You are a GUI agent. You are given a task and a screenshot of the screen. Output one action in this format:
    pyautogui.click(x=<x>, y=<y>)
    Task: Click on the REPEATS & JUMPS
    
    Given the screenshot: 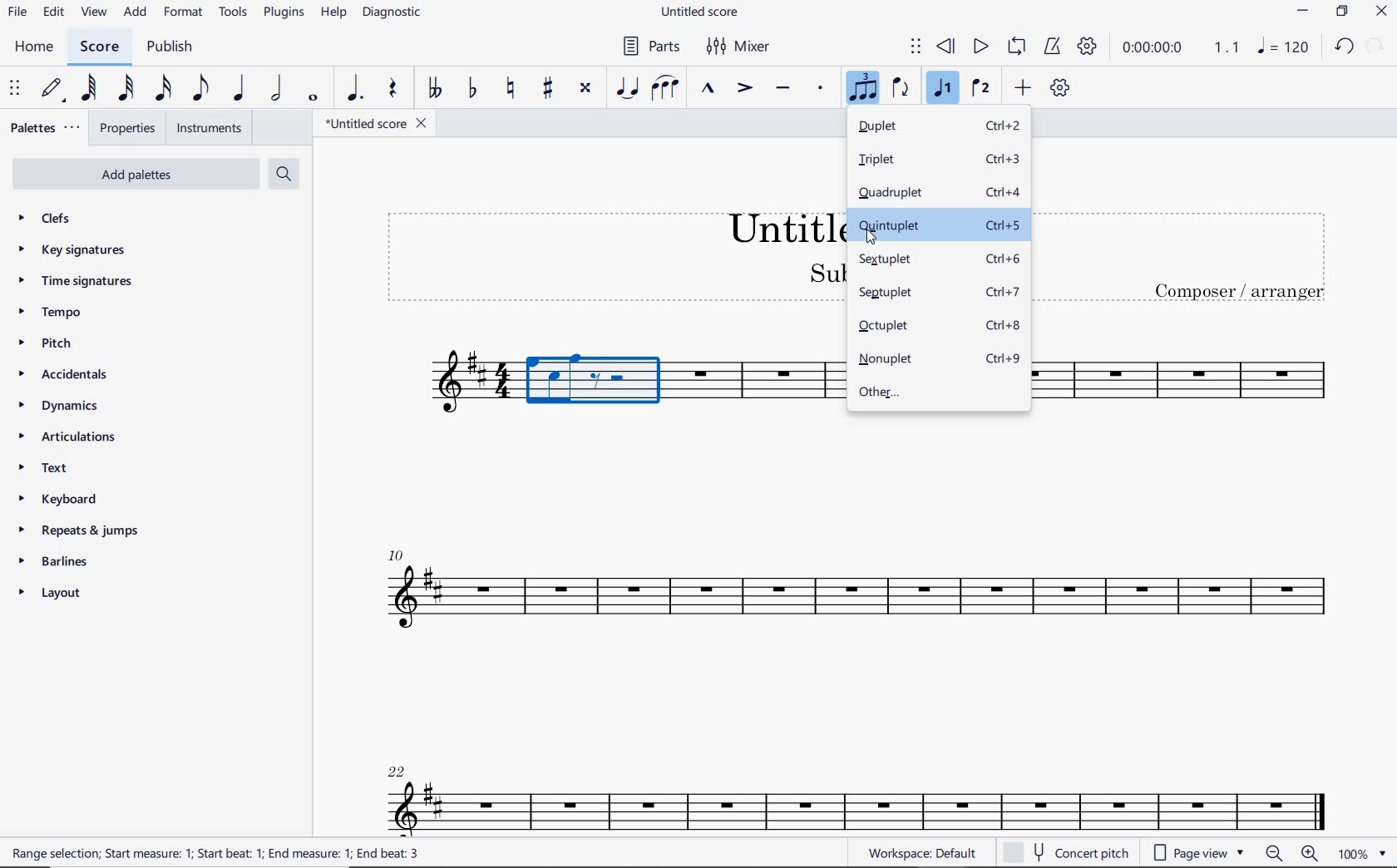 What is the action you would take?
    pyautogui.click(x=81, y=530)
    